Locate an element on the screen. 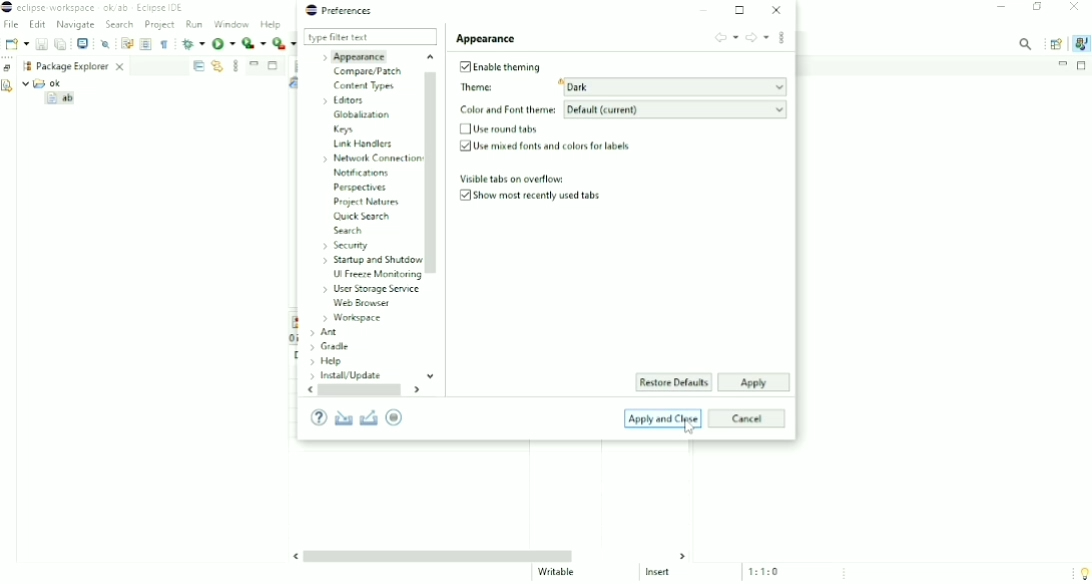 The height and width of the screenshot is (584, 1092). Minimize is located at coordinates (254, 63).